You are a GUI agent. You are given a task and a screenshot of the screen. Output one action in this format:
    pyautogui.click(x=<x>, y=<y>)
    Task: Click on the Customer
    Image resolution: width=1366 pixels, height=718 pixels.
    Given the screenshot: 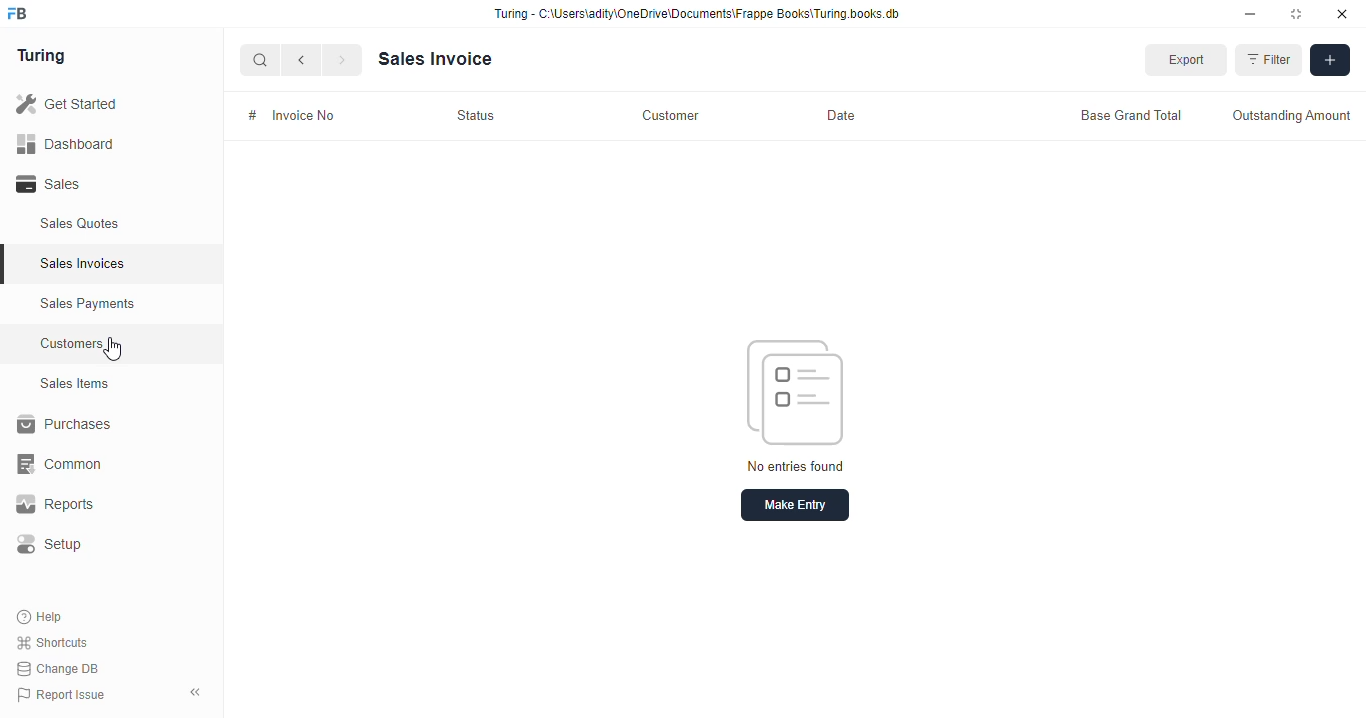 What is the action you would take?
    pyautogui.click(x=673, y=113)
    